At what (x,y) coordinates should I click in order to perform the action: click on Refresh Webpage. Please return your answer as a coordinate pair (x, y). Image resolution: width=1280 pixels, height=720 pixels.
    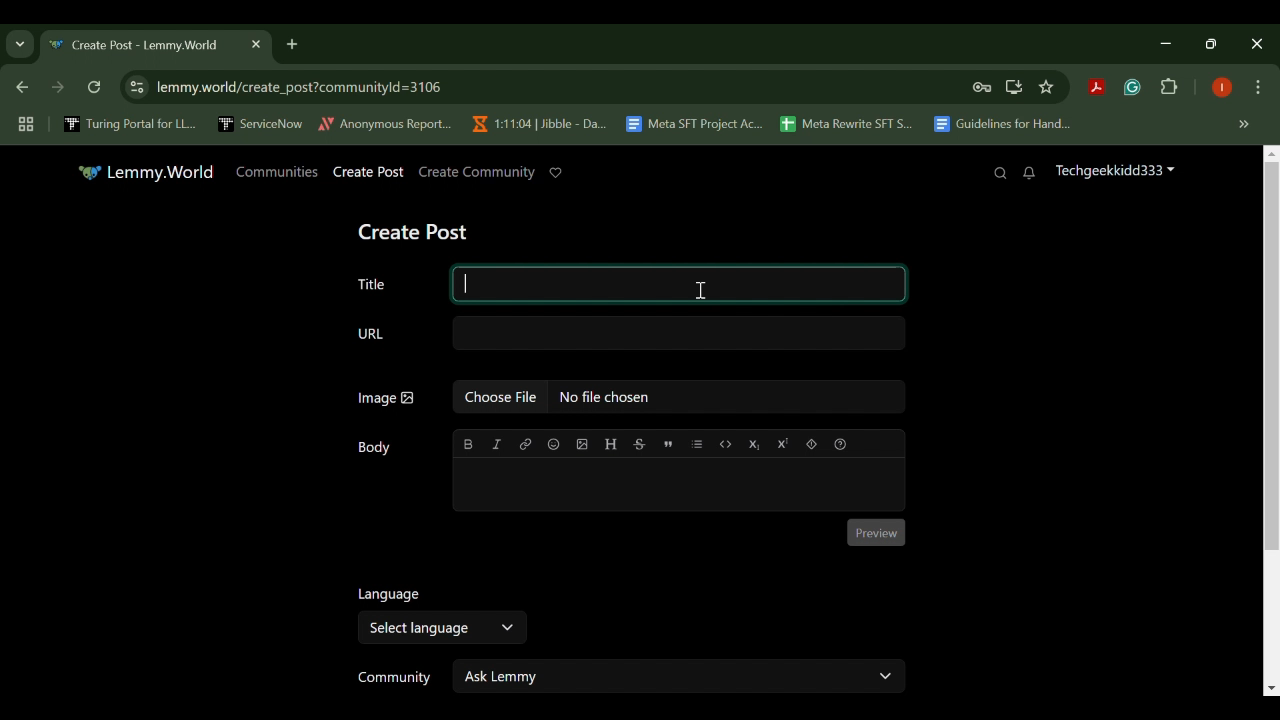
    Looking at the image, I should click on (96, 89).